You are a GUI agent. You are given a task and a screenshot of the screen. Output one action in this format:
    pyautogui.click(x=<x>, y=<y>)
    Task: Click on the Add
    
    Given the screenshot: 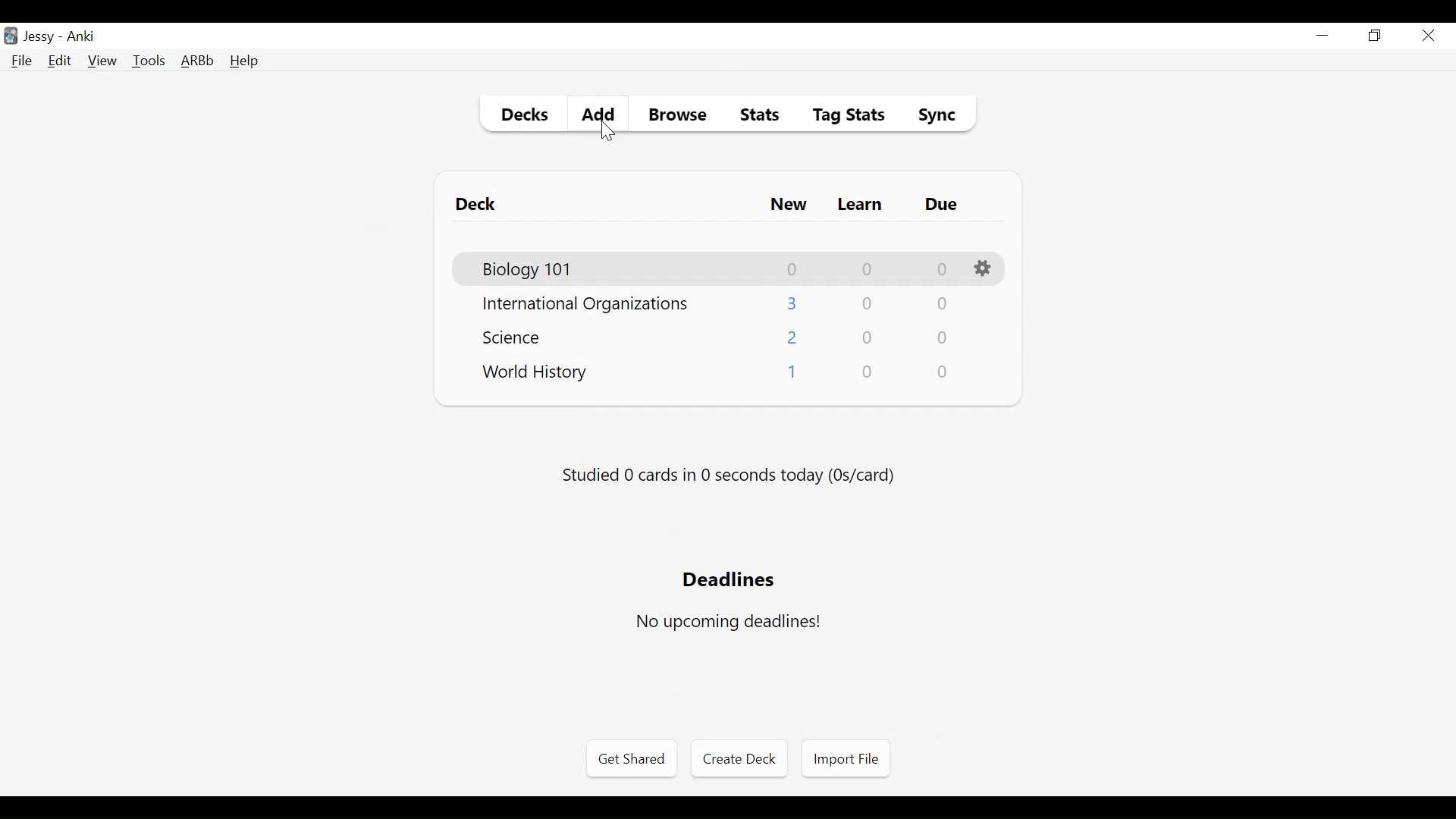 What is the action you would take?
    pyautogui.click(x=595, y=112)
    